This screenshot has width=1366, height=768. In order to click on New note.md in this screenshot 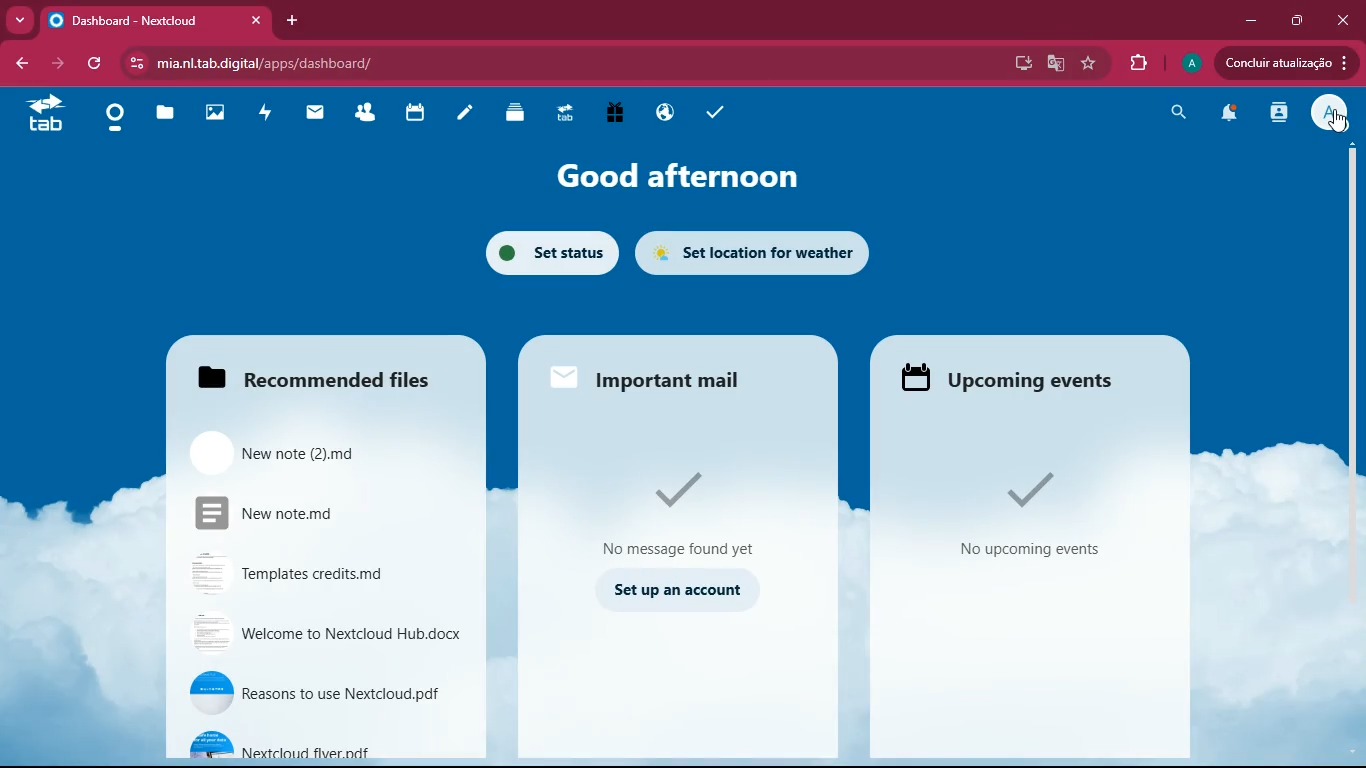, I will do `click(265, 513)`.